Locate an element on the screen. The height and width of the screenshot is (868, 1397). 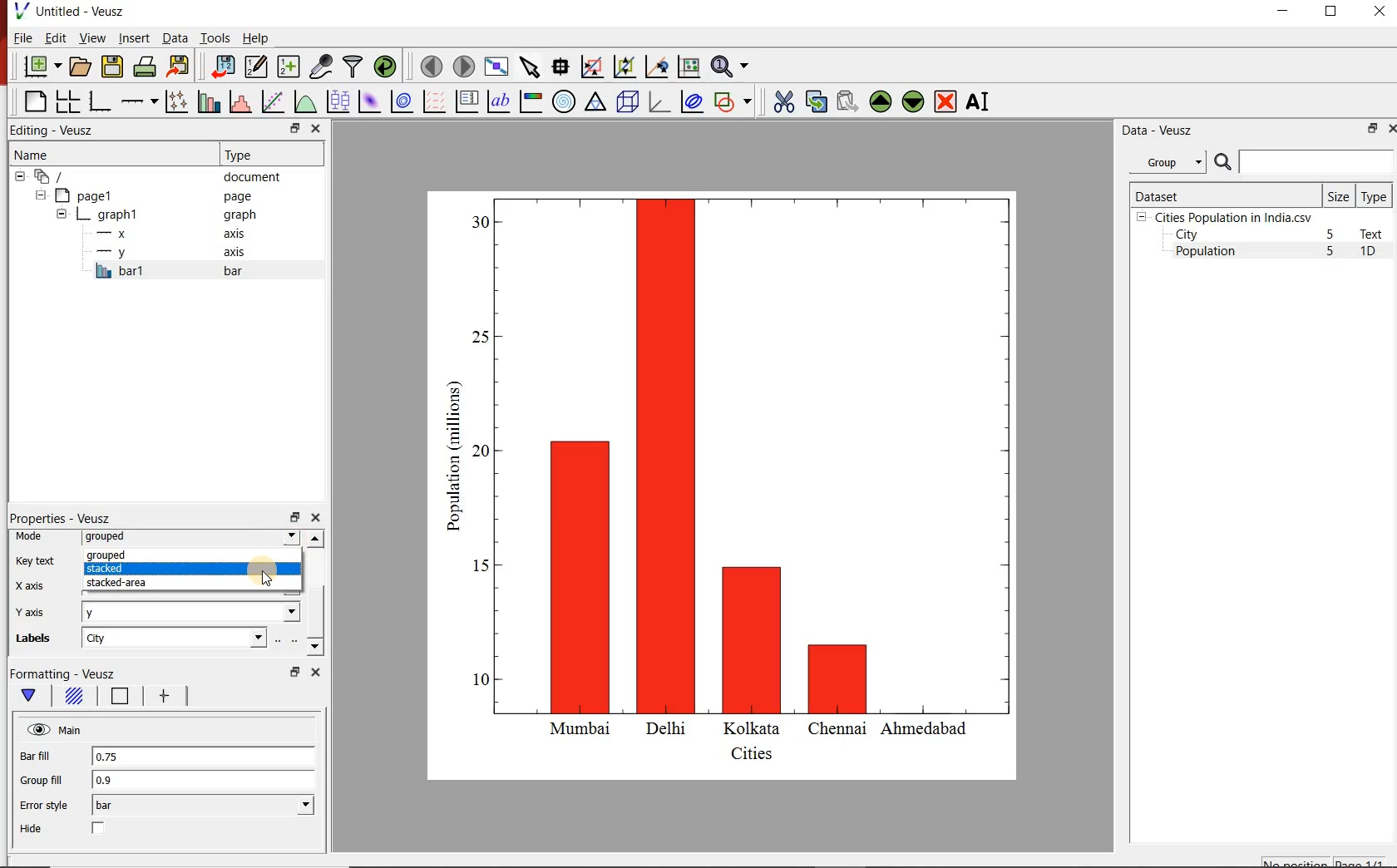
arrange graphs in a grid is located at coordinates (67, 101).